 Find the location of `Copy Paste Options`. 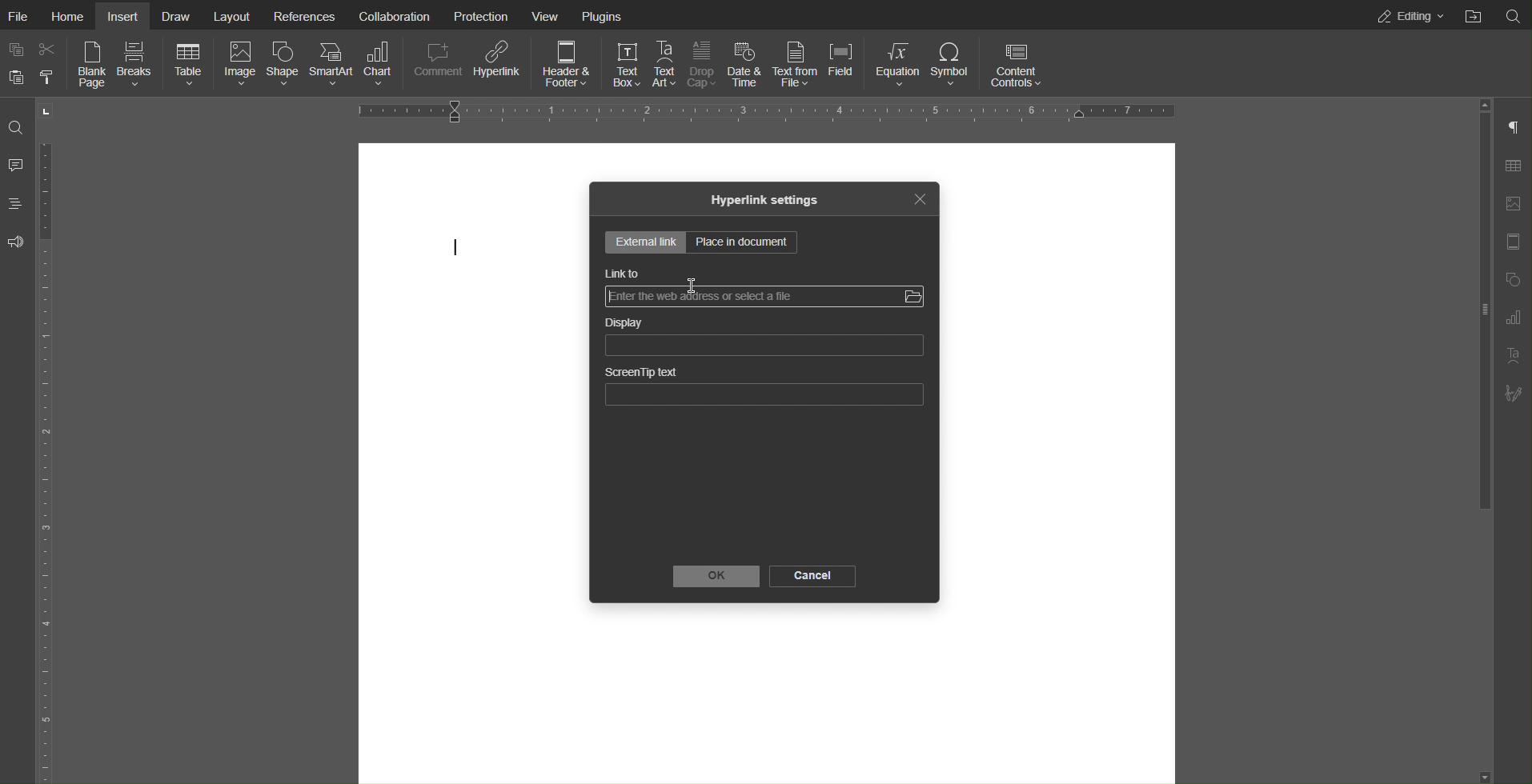

Copy Paste Options is located at coordinates (30, 64).